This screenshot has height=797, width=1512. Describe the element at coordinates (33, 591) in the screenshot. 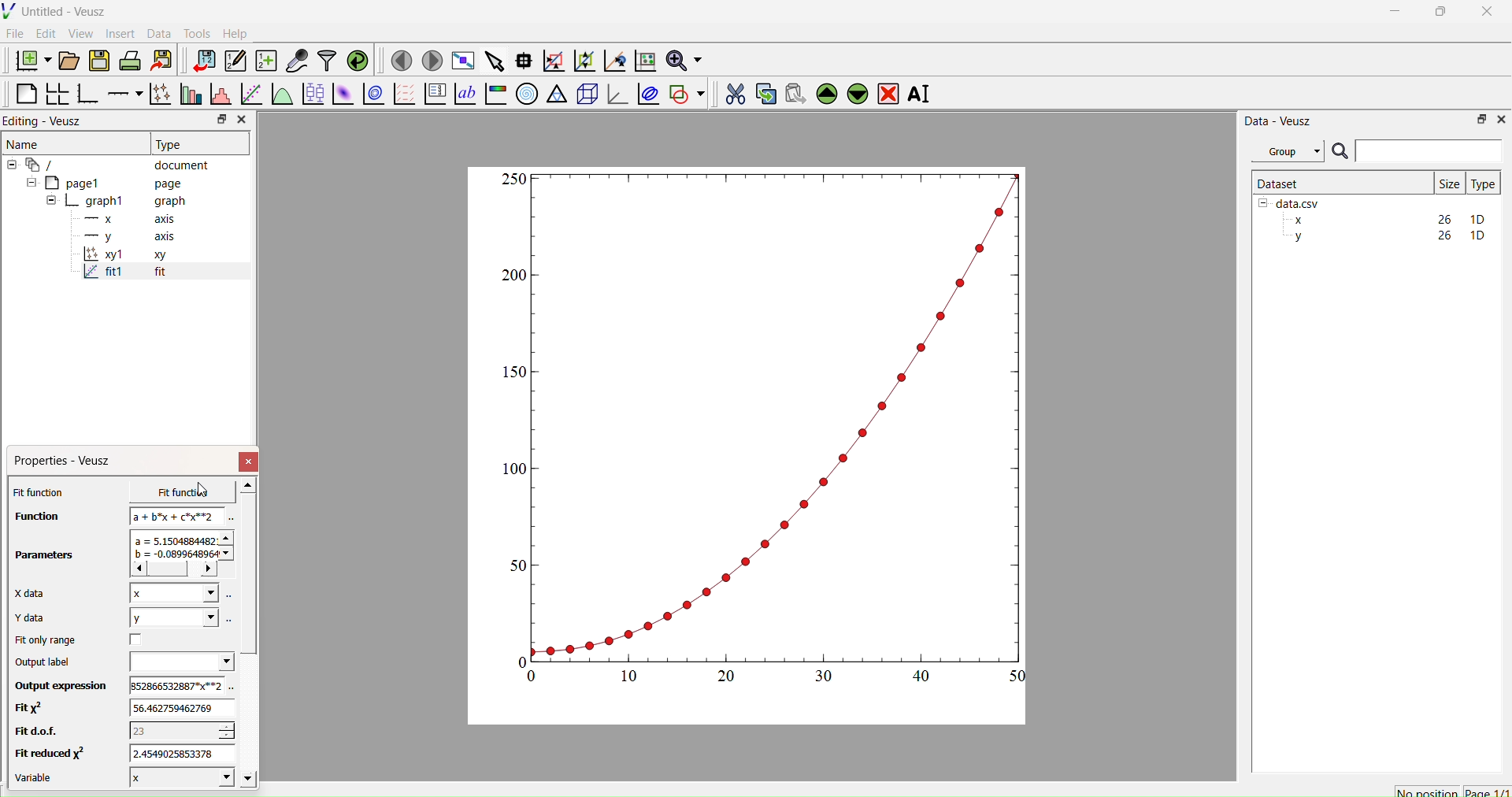

I see `X data` at that location.